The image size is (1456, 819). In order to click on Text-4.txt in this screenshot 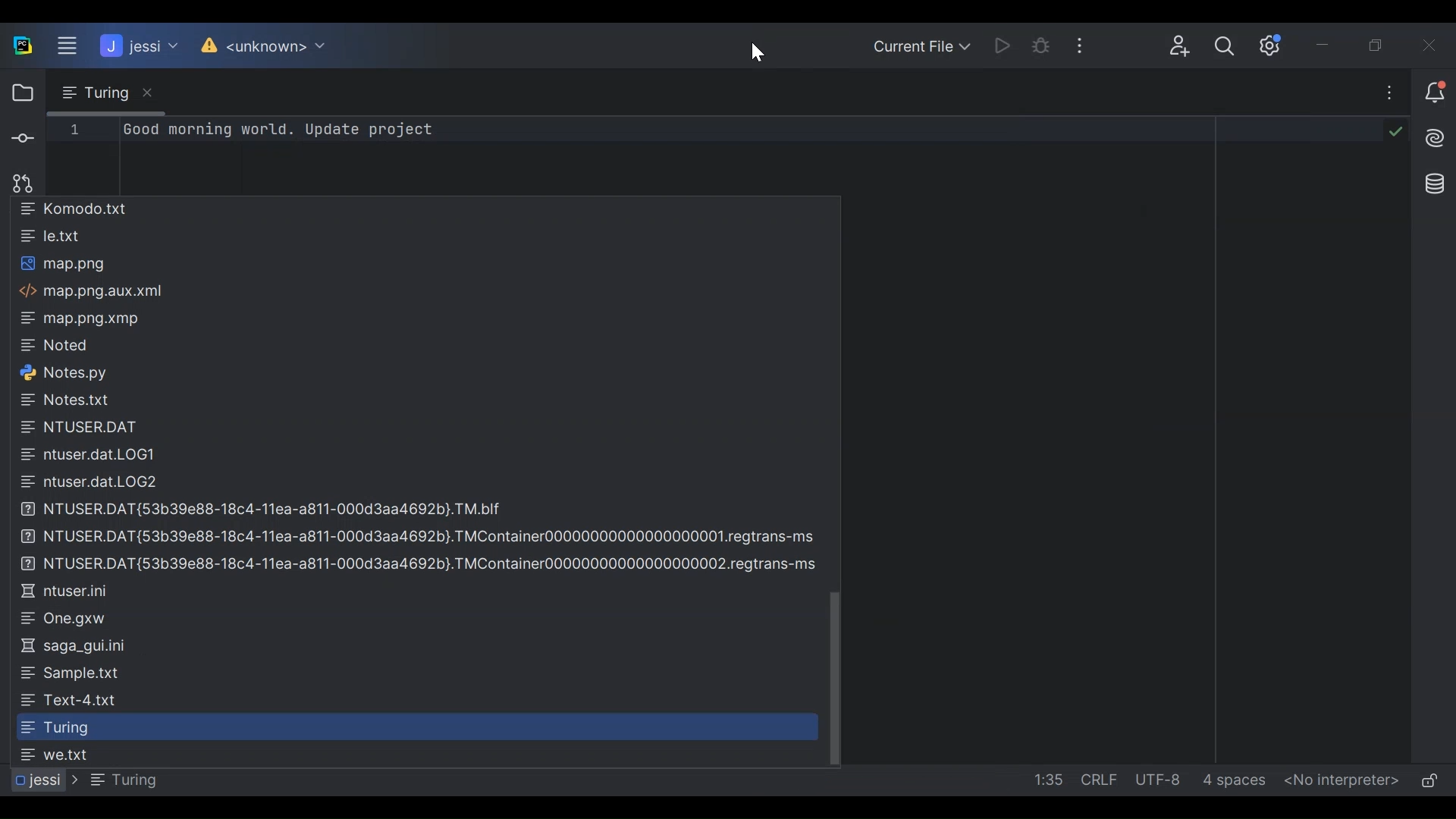, I will do `click(71, 701)`.